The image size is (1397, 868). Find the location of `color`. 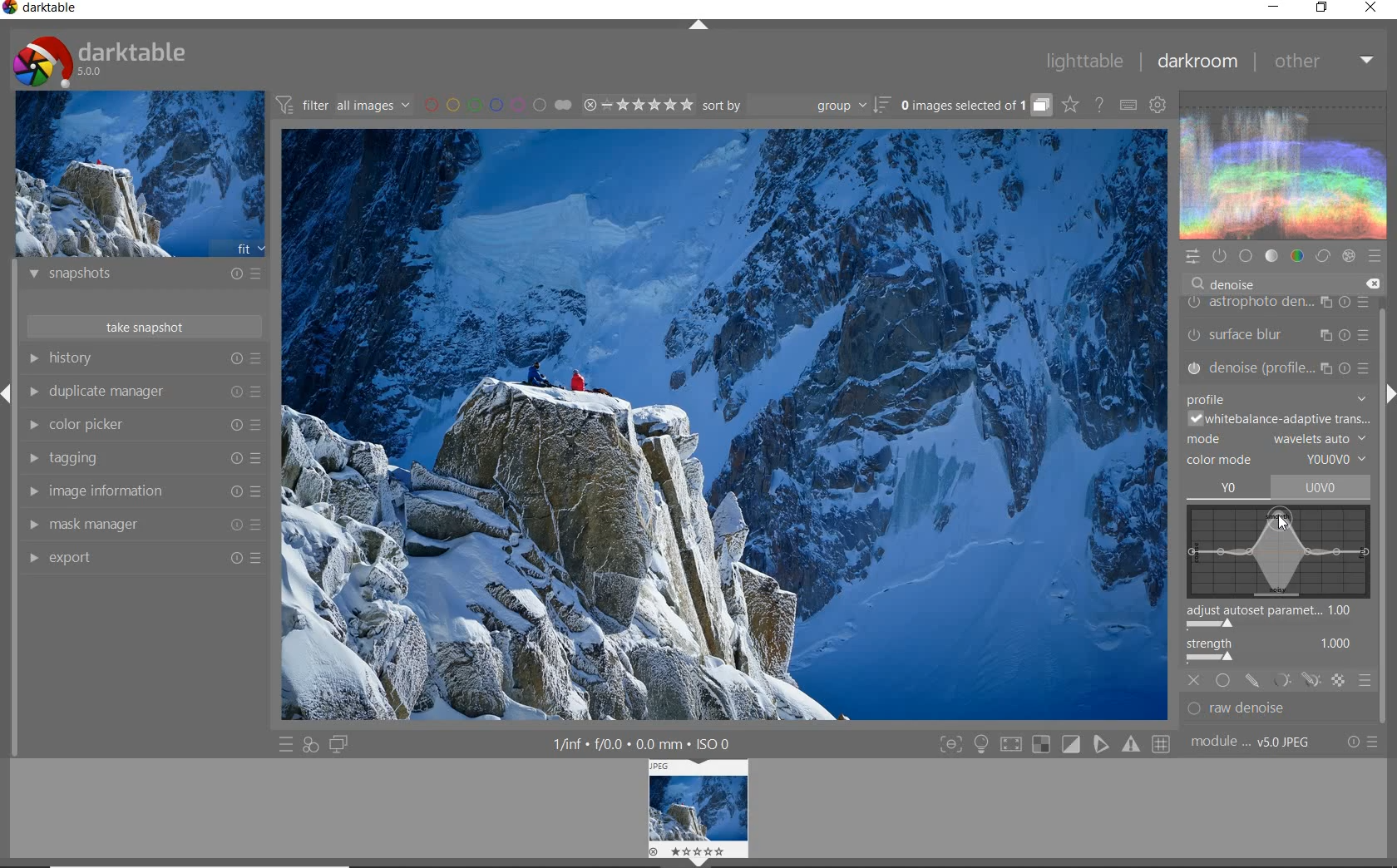

color is located at coordinates (1298, 255).